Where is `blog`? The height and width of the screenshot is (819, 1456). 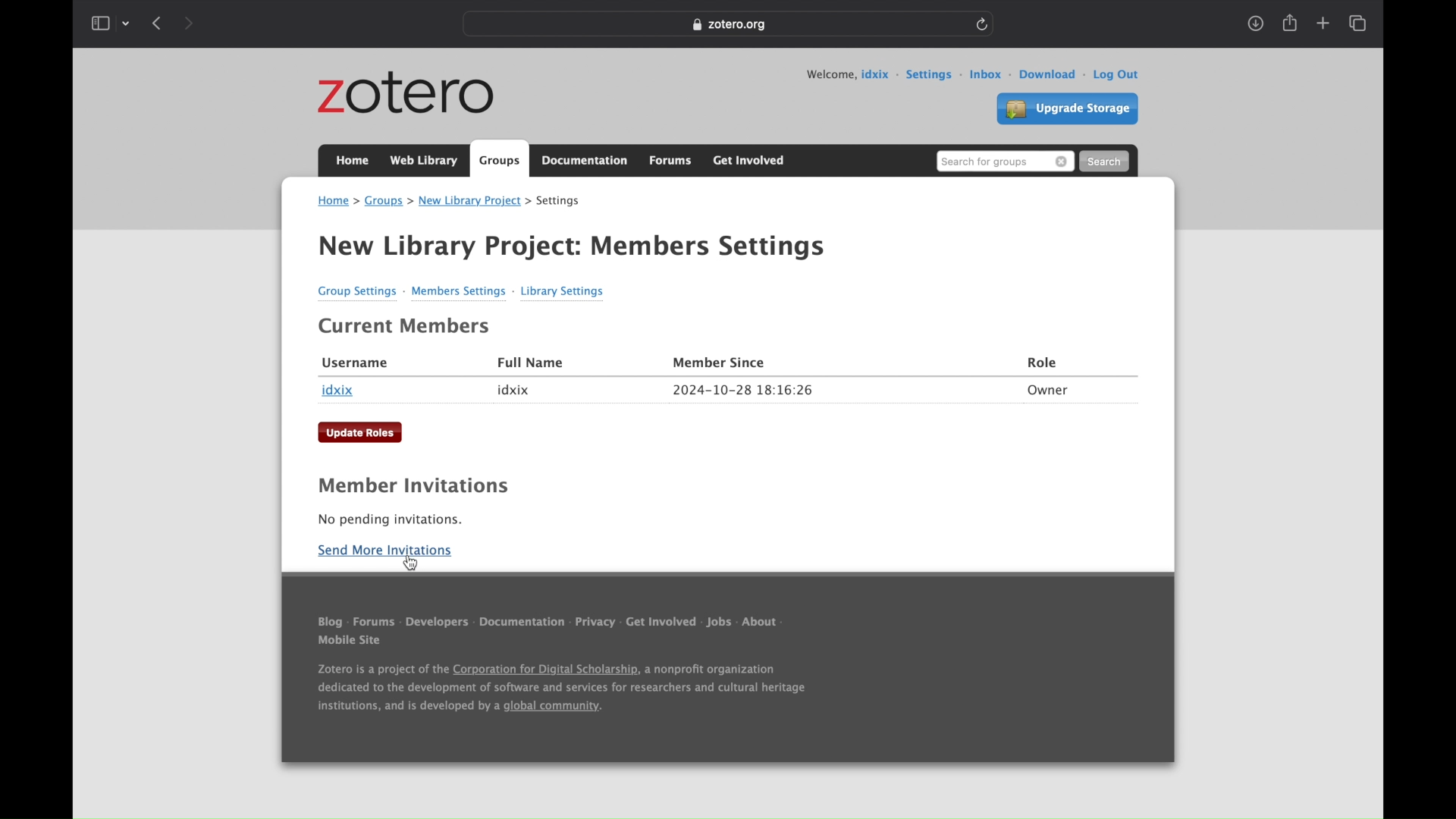
blog is located at coordinates (329, 621).